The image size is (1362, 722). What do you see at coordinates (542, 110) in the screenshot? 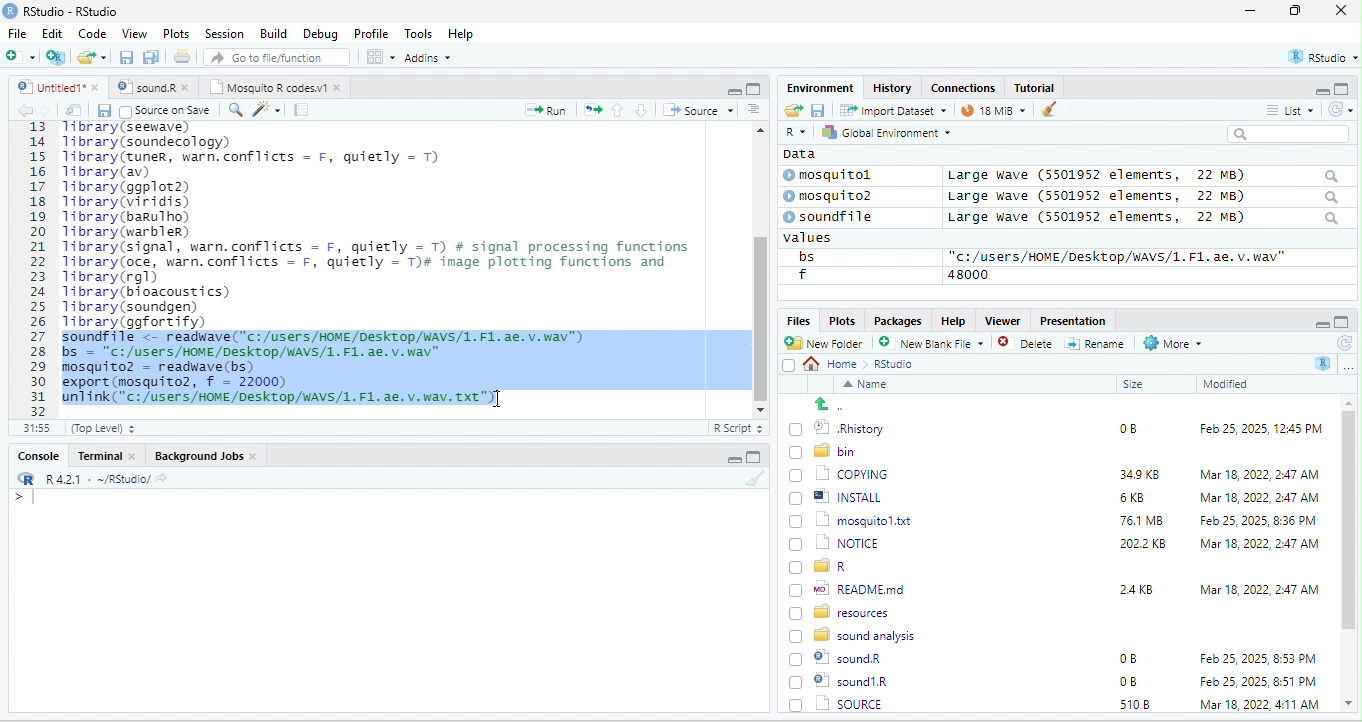
I see `Run` at bounding box center [542, 110].